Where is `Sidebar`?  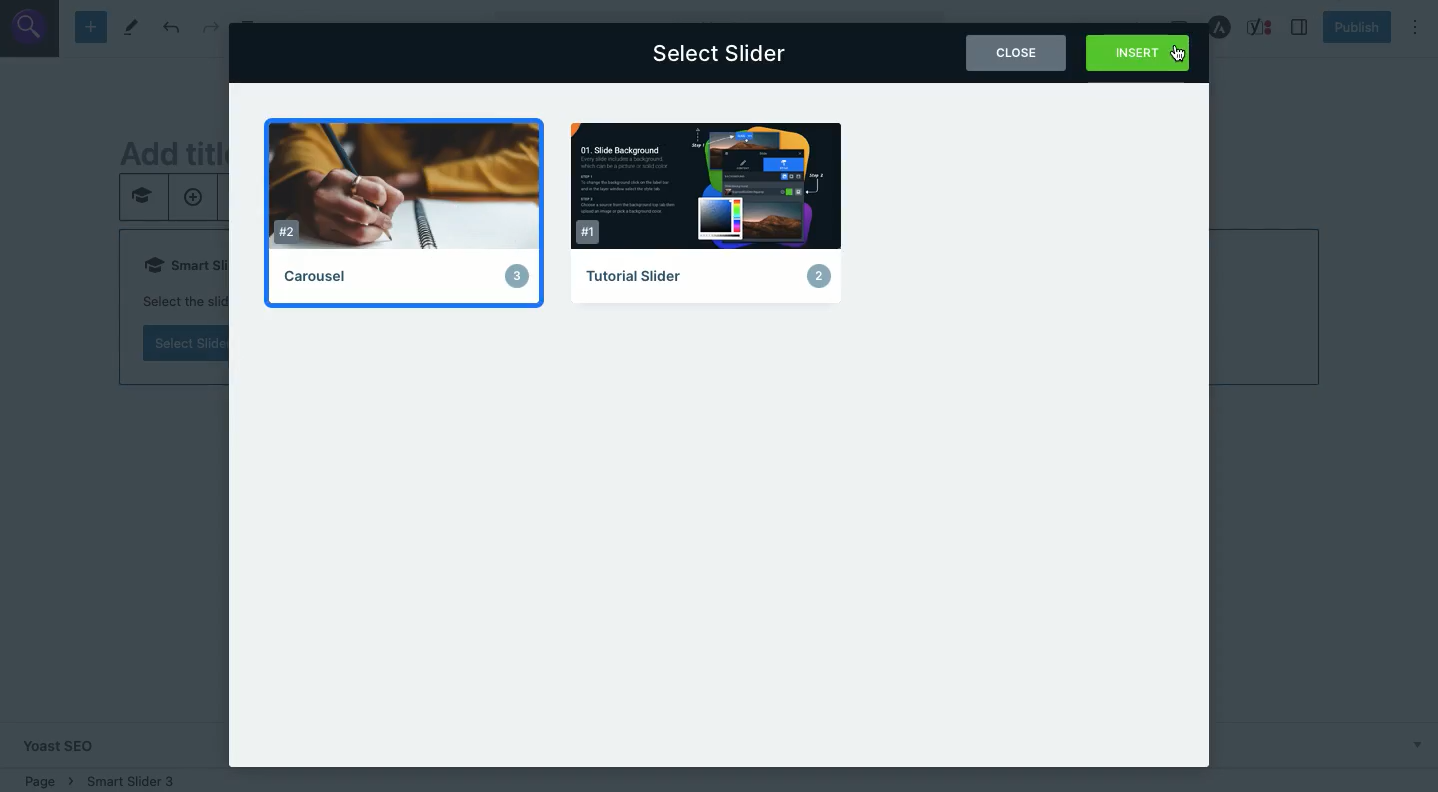 Sidebar is located at coordinates (1300, 27).